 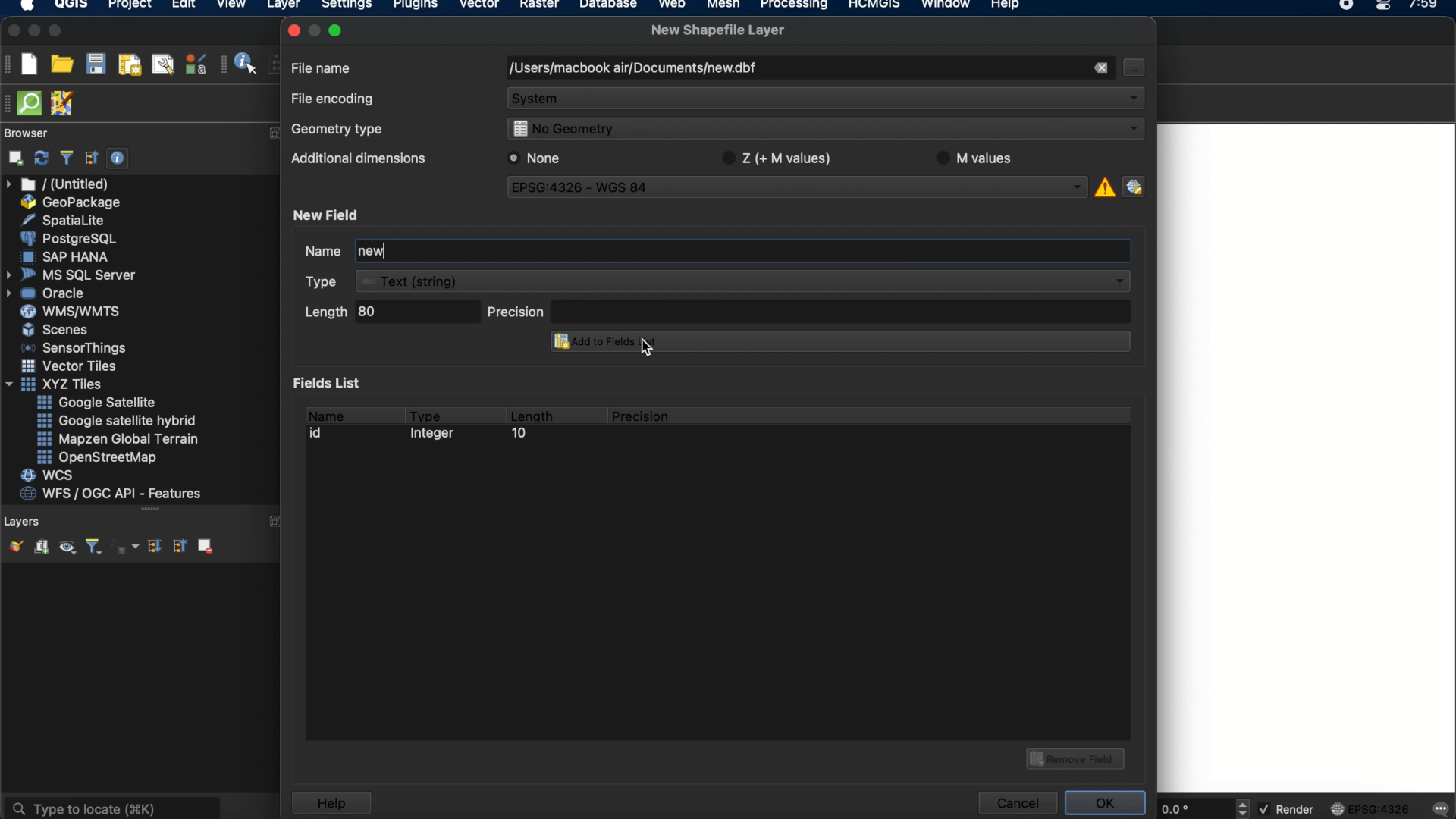 I want to click on web, so click(x=673, y=6).